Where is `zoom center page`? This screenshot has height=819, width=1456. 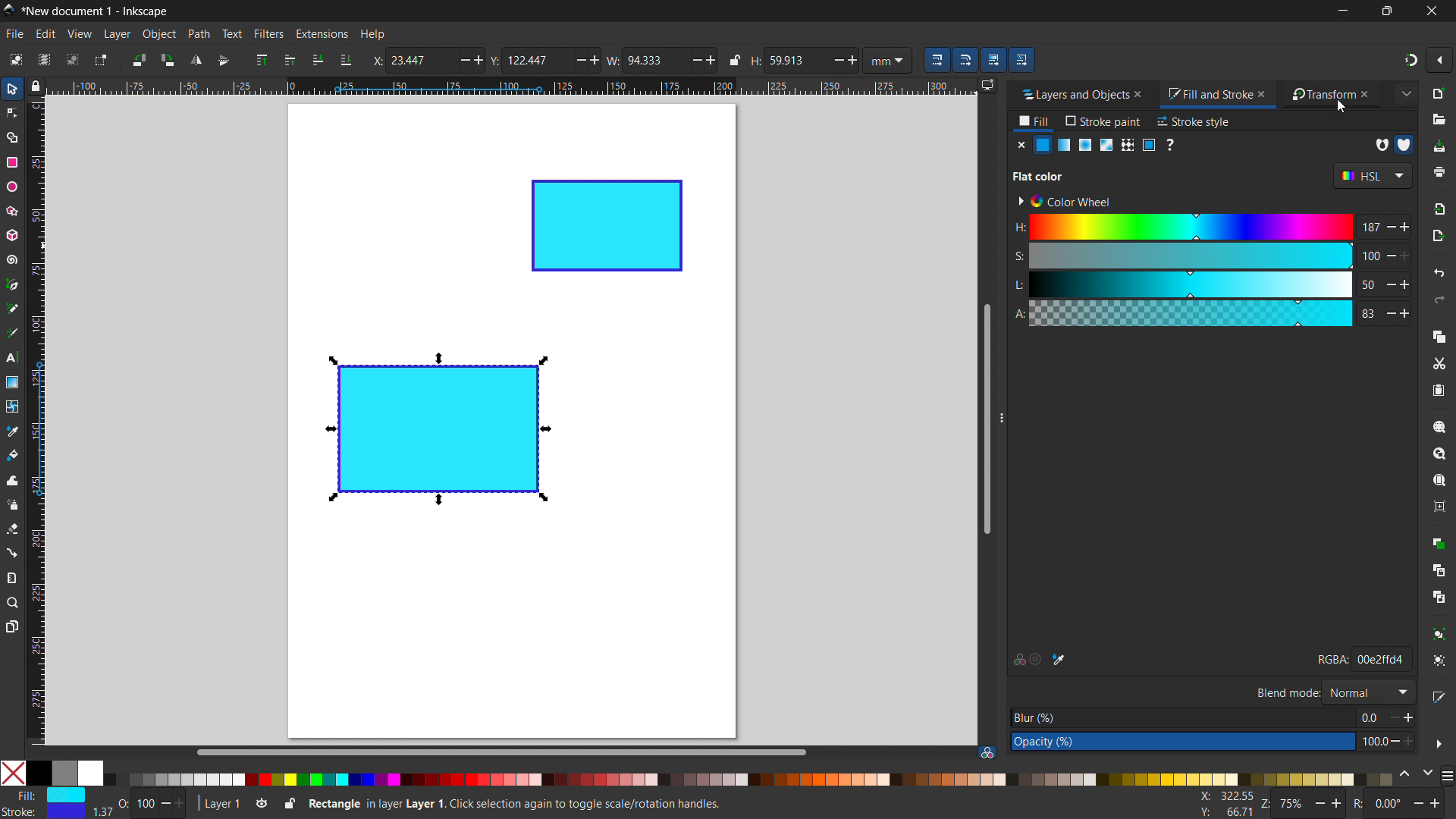
zoom center page is located at coordinates (1439, 507).